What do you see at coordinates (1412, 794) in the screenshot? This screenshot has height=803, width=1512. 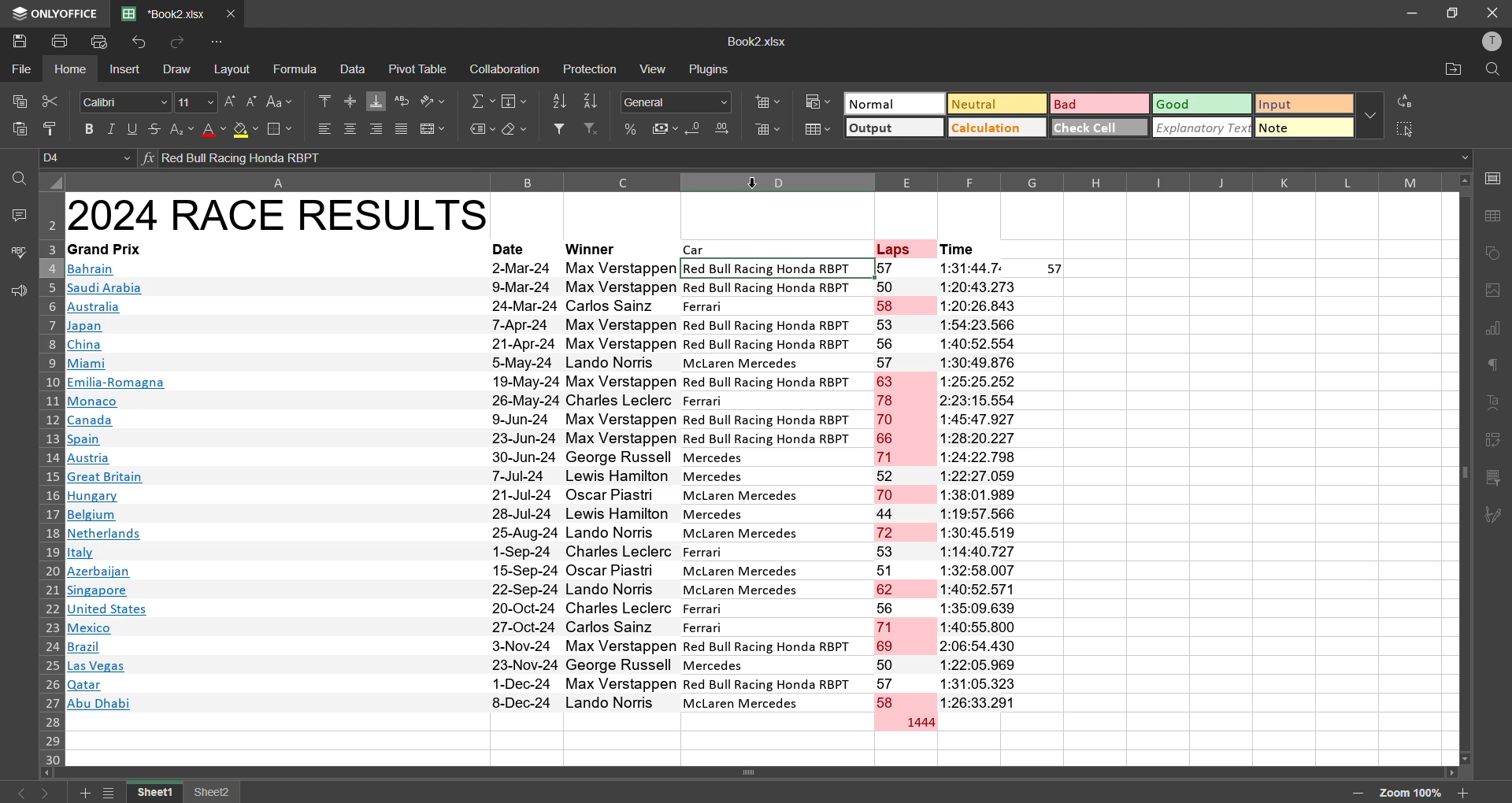 I see `zoom factor` at bounding box center [1412, 794].